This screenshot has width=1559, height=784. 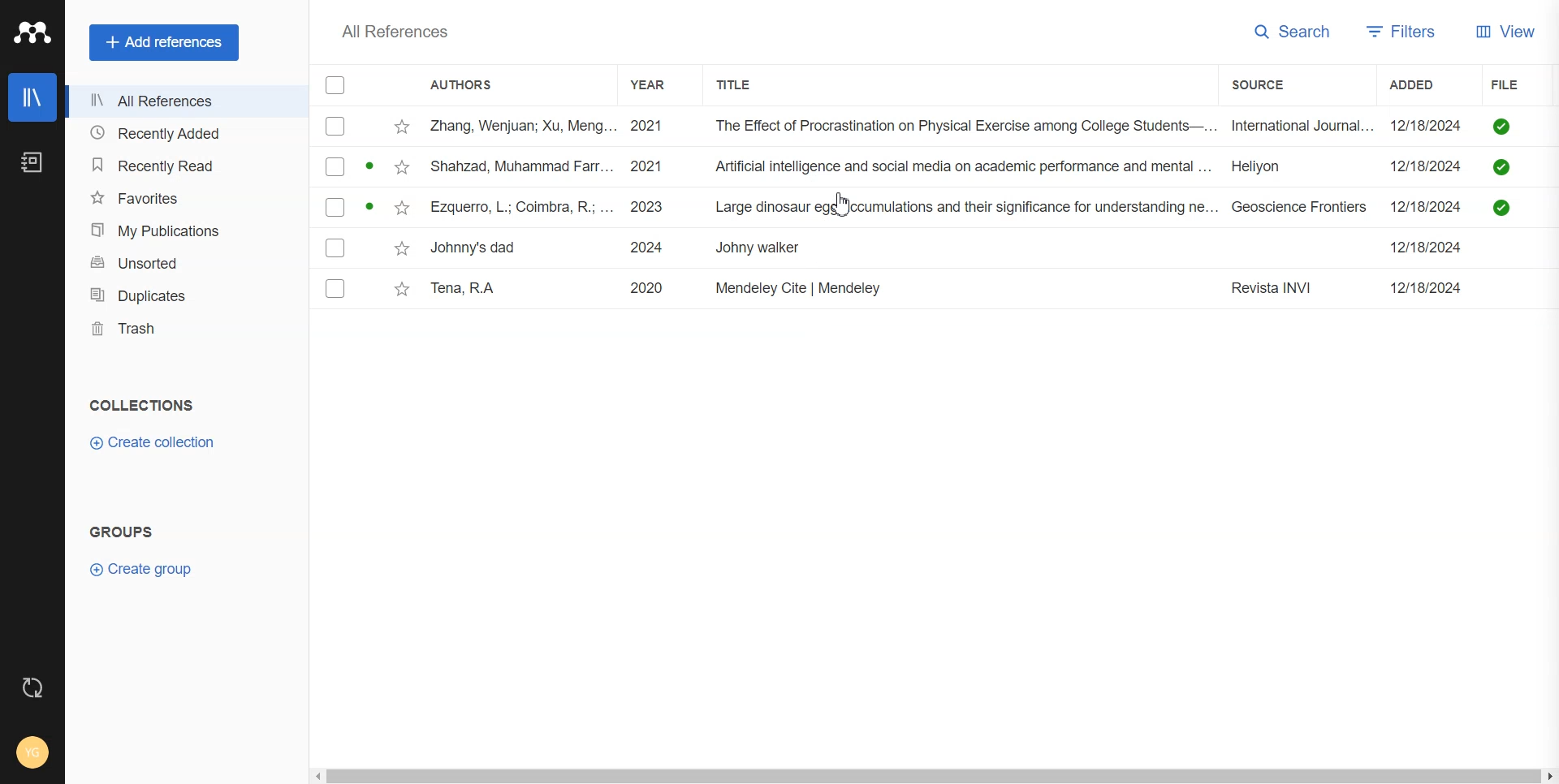 I want to click on Text, so click(x=399, y=32).